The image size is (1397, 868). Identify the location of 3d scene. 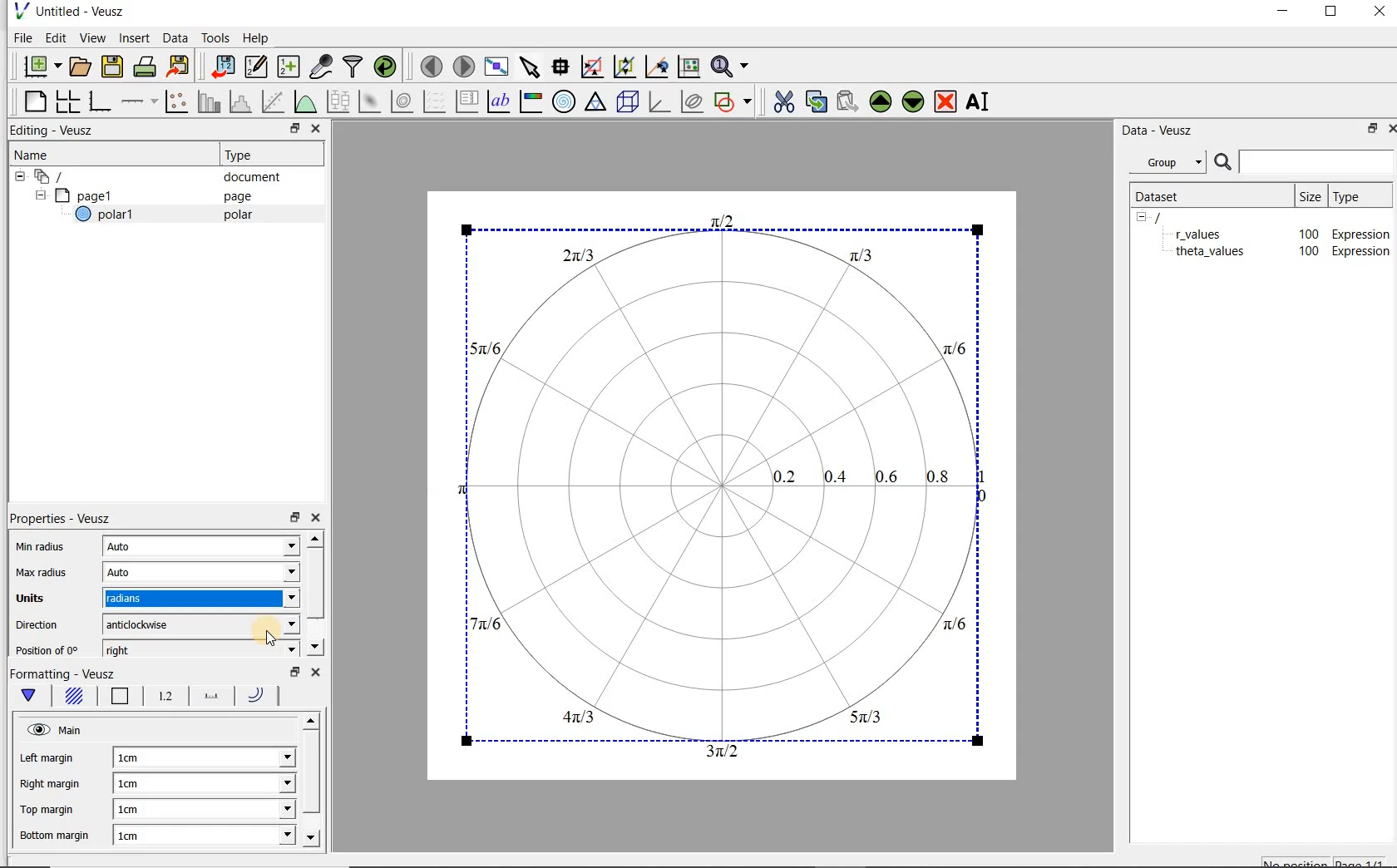
(629, 103).